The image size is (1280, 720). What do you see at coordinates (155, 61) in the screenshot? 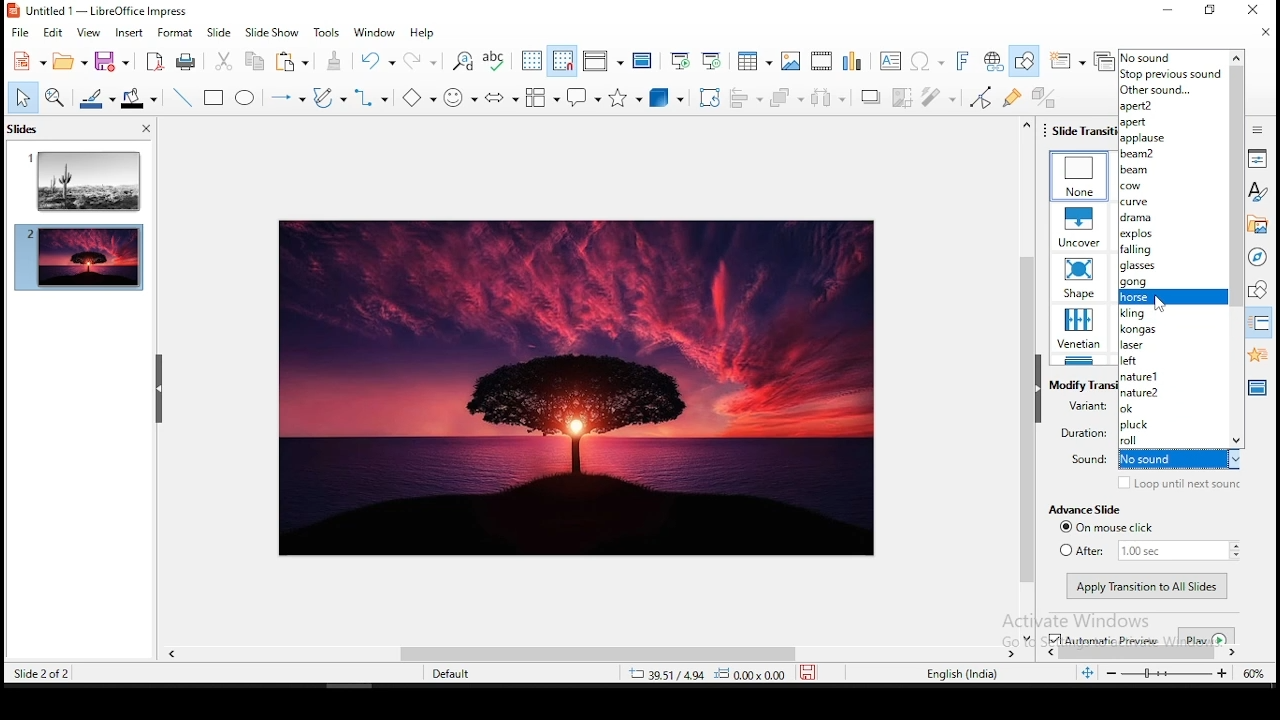
I see `acrobat as pdf` at bounding box center [155, 61].